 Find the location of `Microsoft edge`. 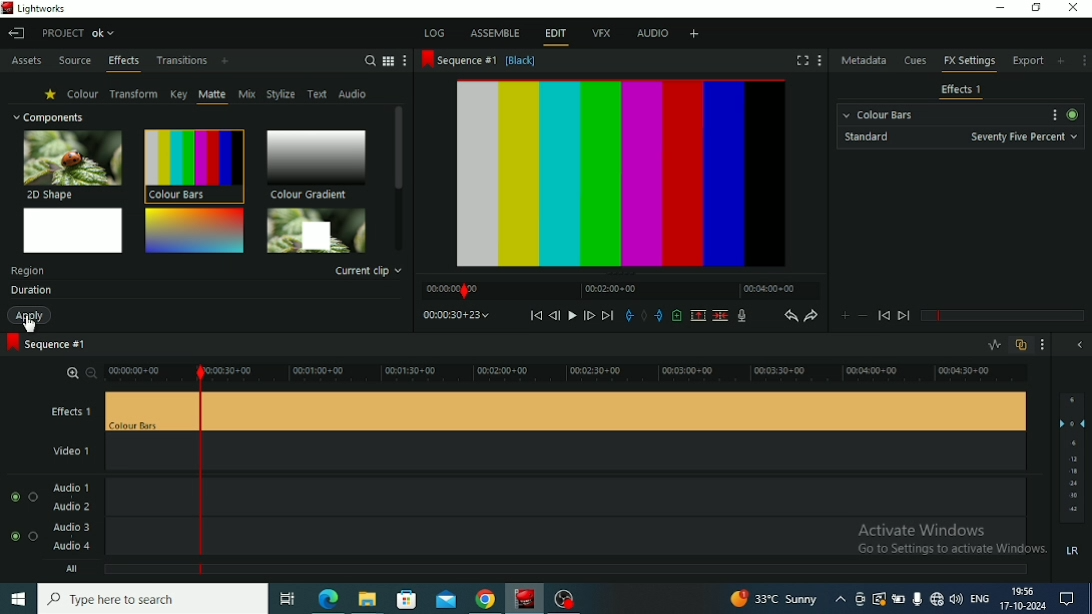

Microsoft edge is located at coordinates (328, 598).